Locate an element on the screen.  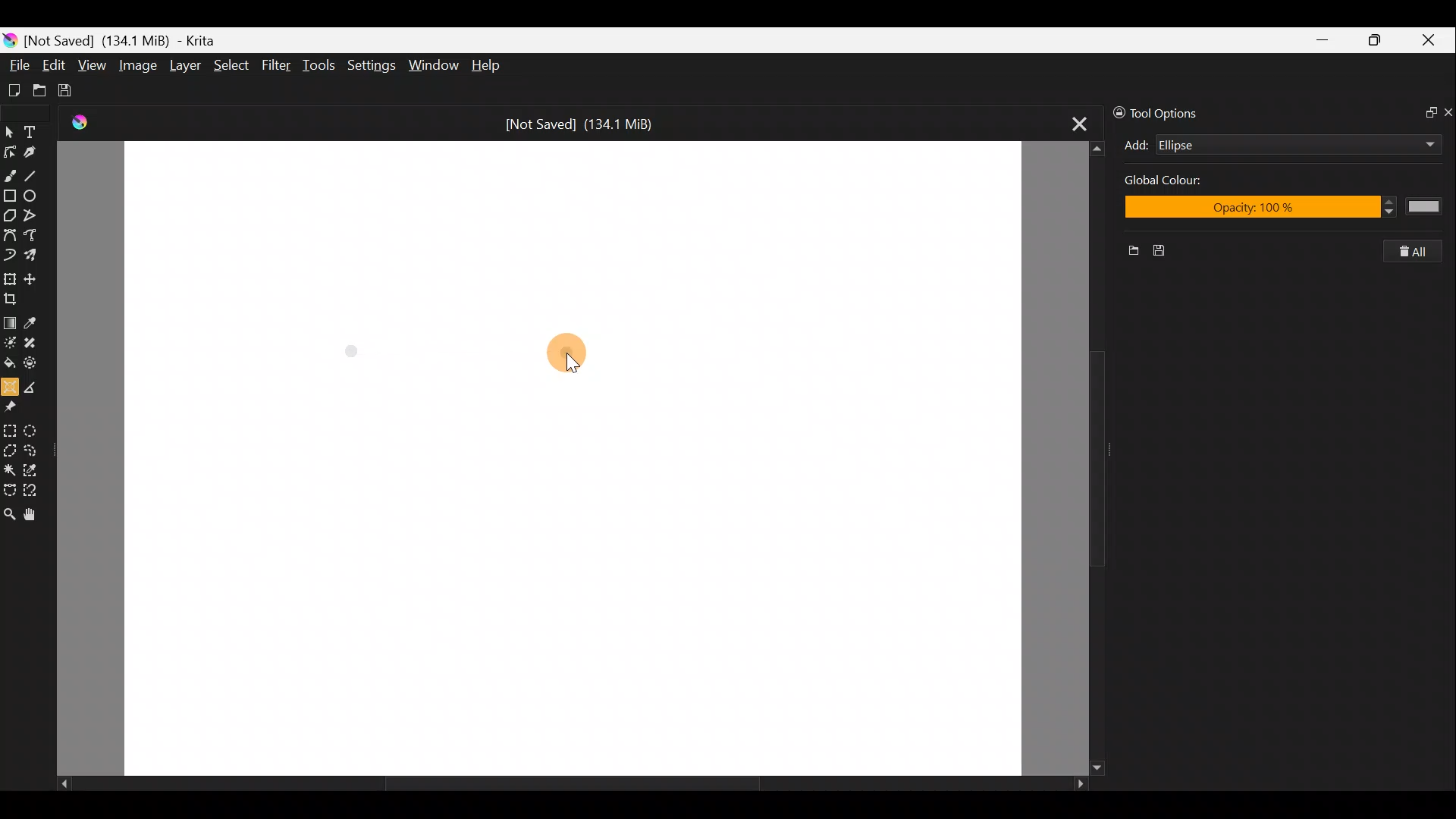
Select is located at coordinates (231, 69).